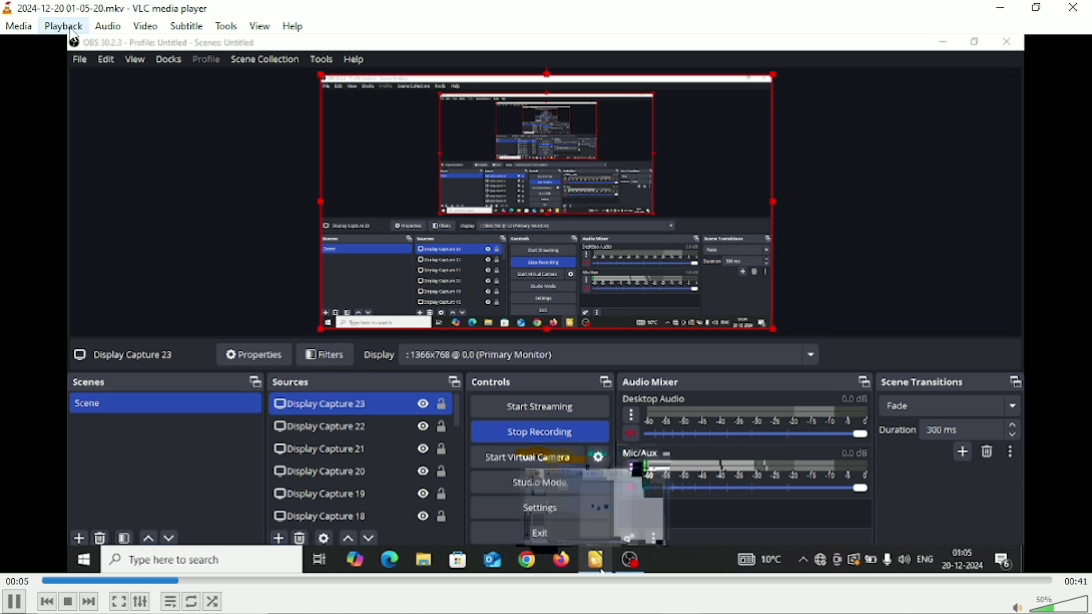 This screenshot has height=614, width=1092. I want to click on Video, so click(546, 304).